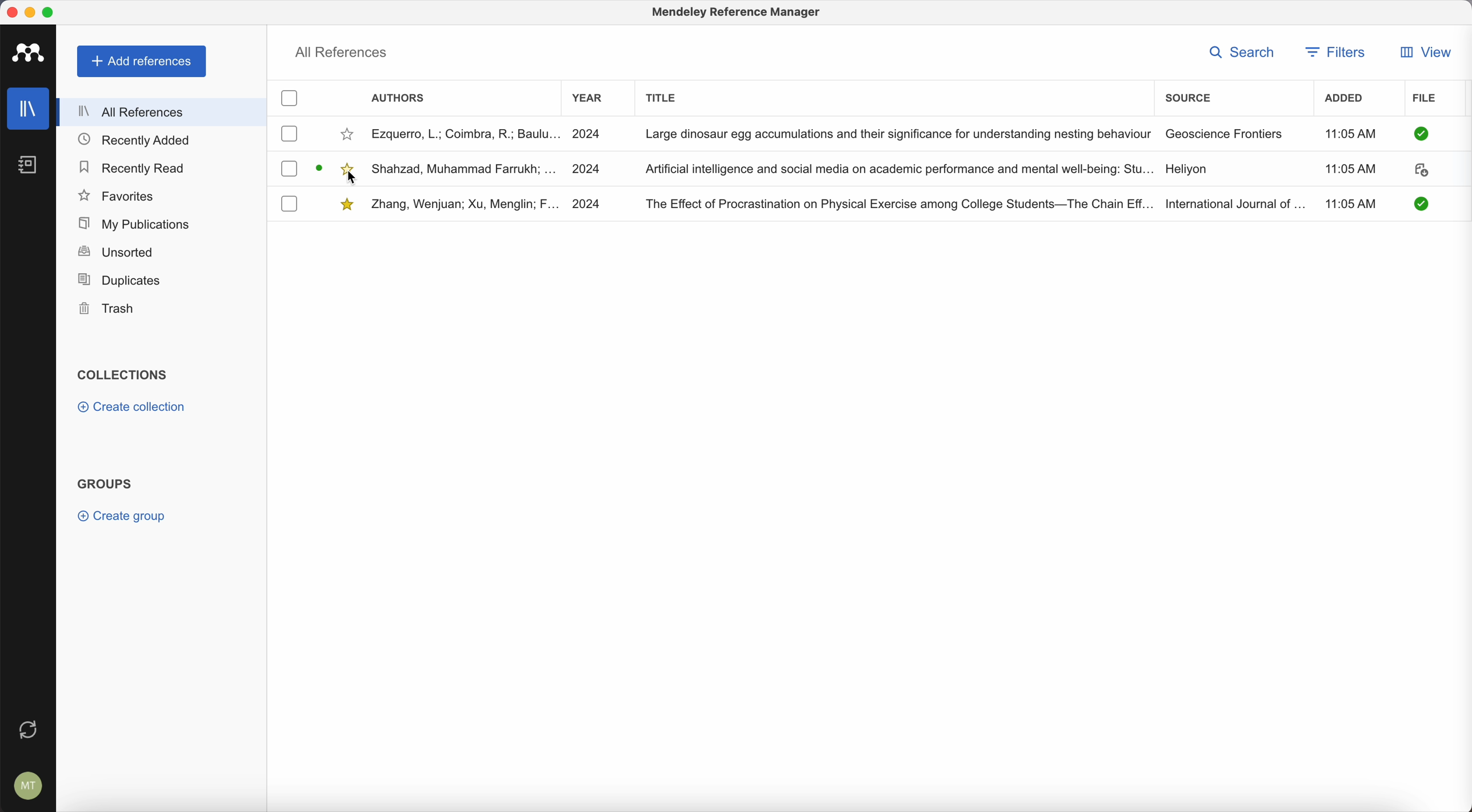 This screenshot has height=812, width=1472. What do you see at coordinates (588, 98) in the screenshot?
I see `year` at bounding box center [588, 98].